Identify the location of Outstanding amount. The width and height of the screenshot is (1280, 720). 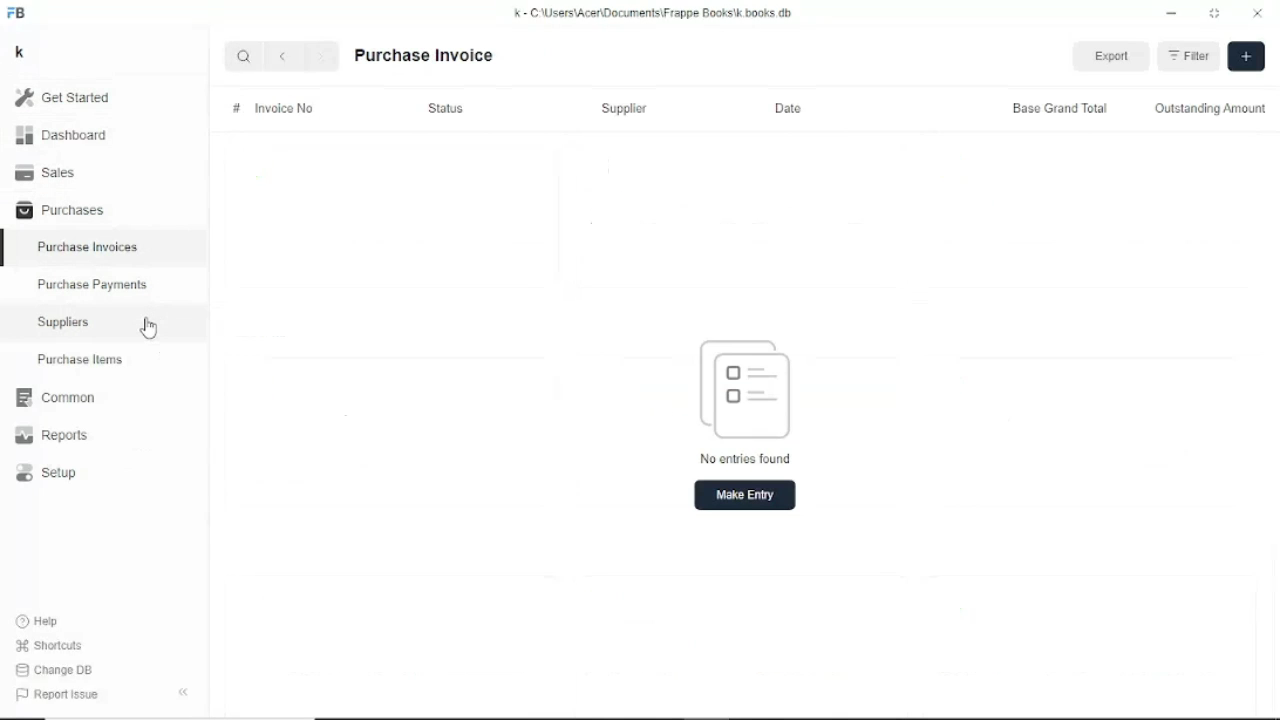
(1210, 107).